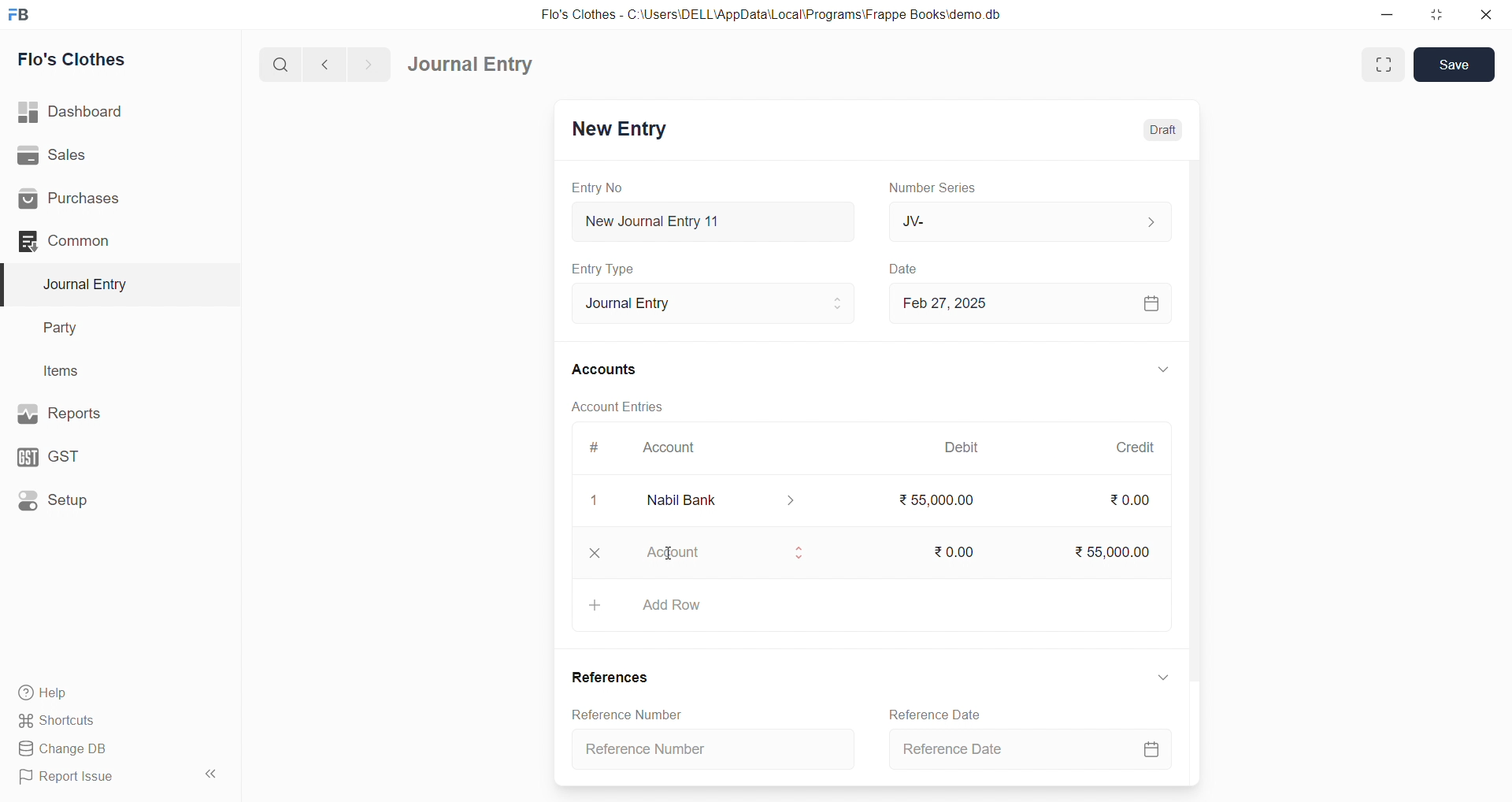 This screenshot has height=802, width=1512. I want to click on Journal Entry, so click(90, 284).